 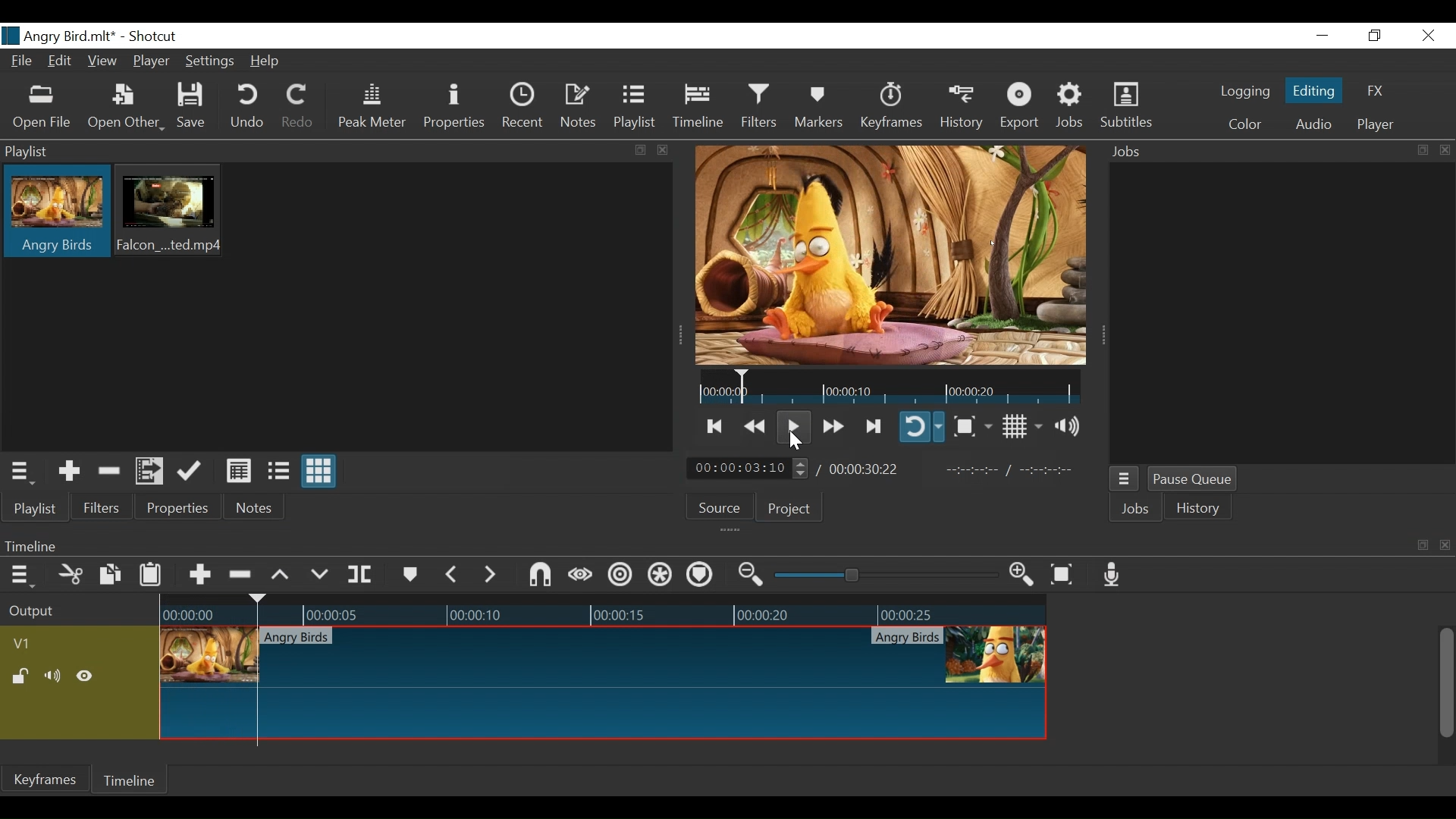 I want to click on Properties, so click(x=180, y=509).